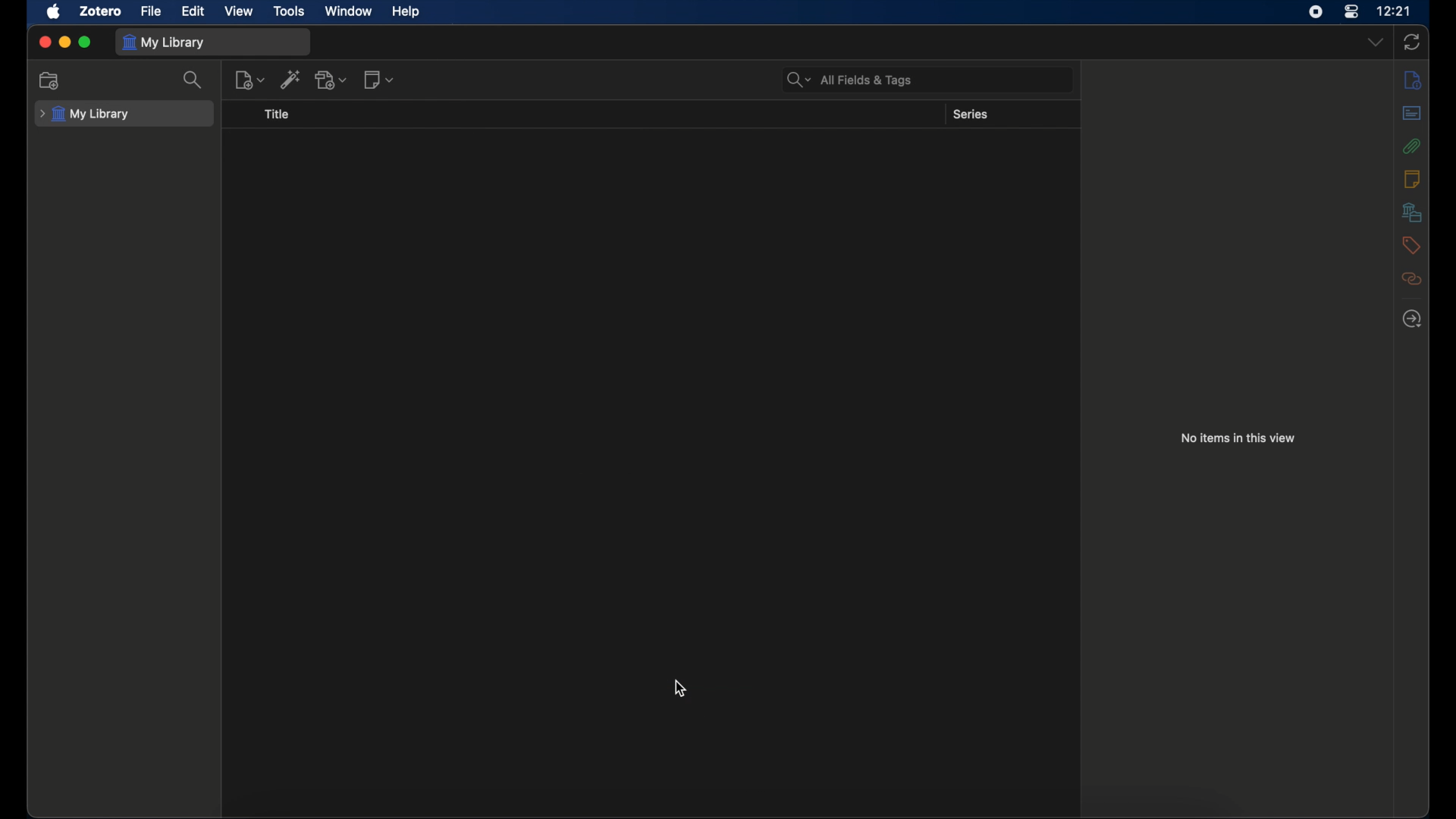 The image size is (1456, 819). What do you see at coordinates (249, 80) in the screenshot?
I see `new notes` at bounding box center [249, 80].